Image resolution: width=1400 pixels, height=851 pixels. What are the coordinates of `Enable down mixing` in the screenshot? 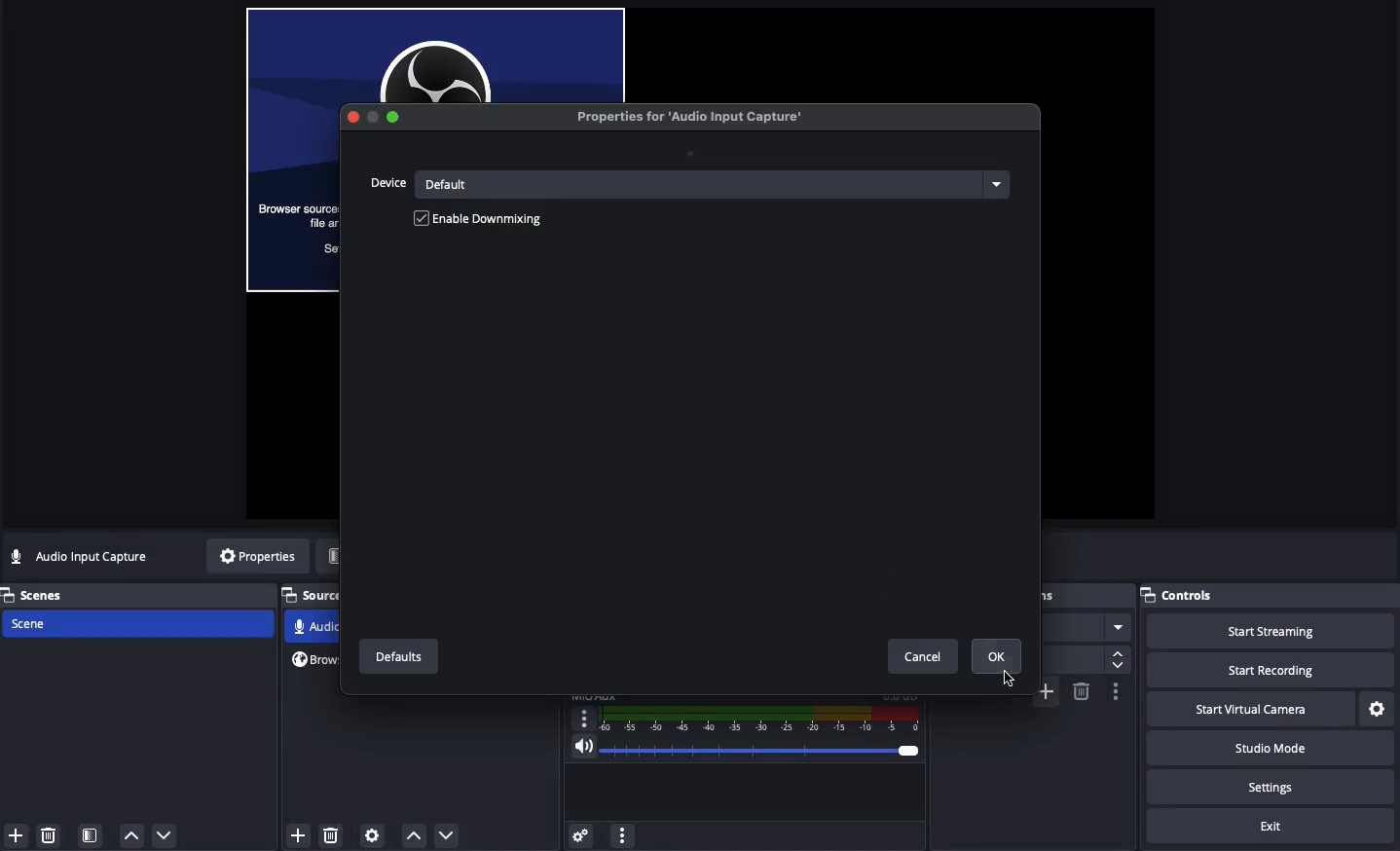 It's located at (492, 220).